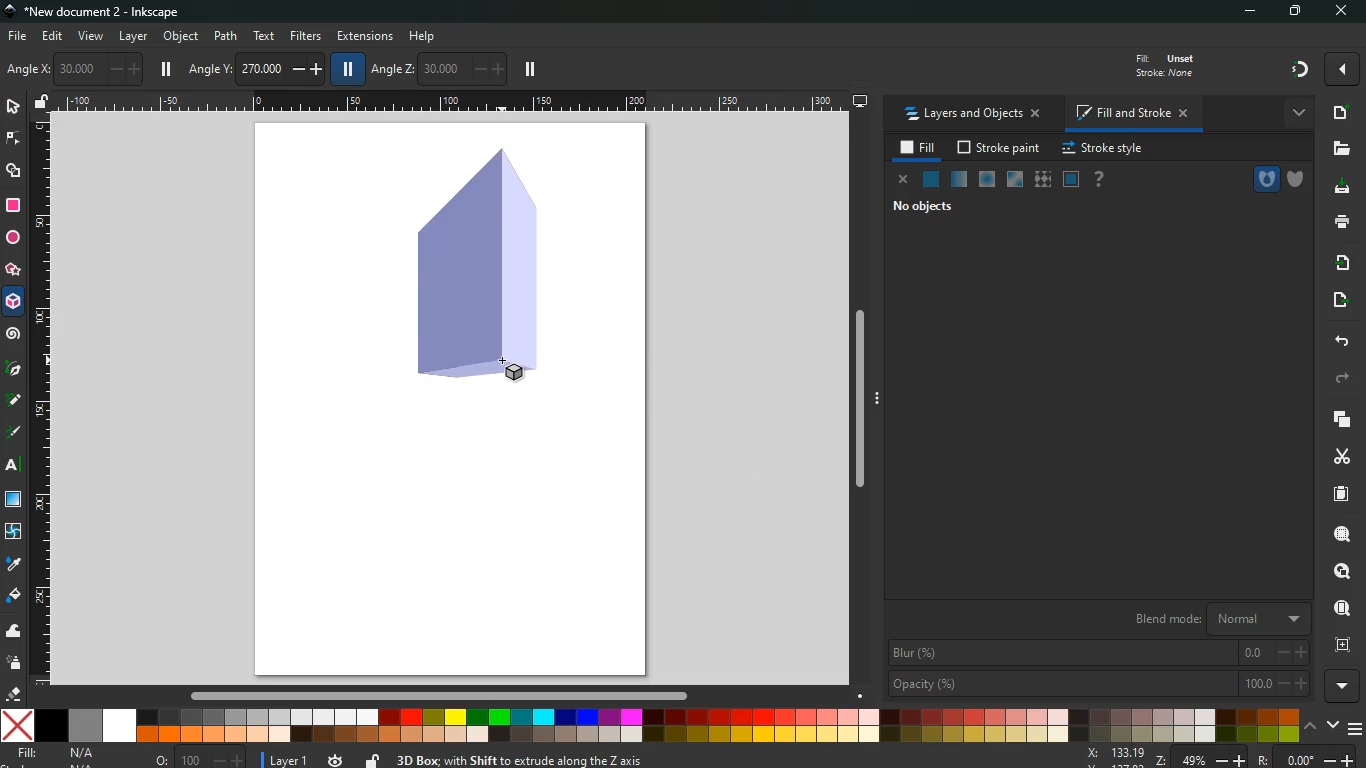 The image size is (1366, 768). I want to click on receive, so click(1337, 262).